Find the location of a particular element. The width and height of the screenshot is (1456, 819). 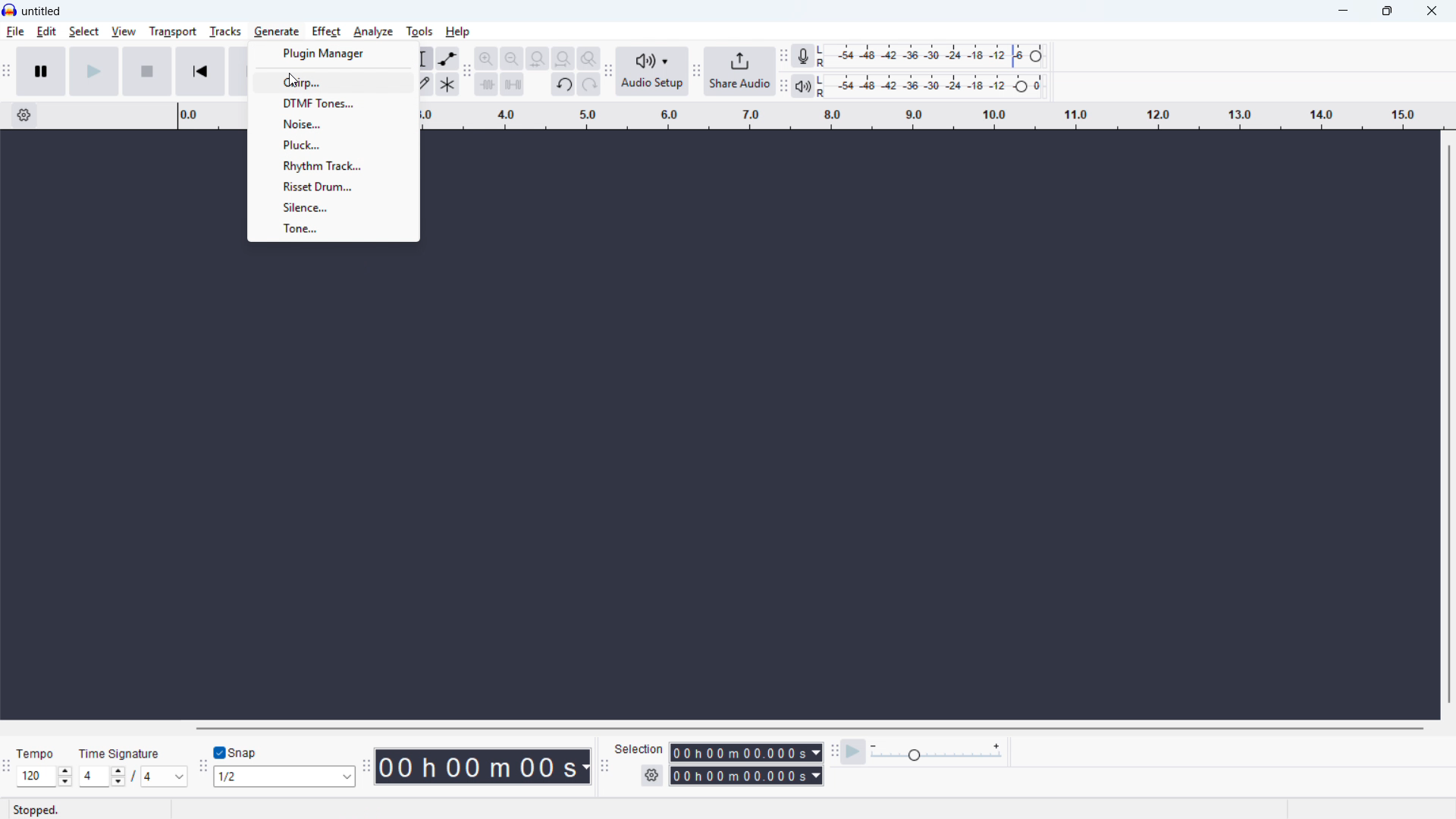

Zoom out  is located at coordinates (512, 58).